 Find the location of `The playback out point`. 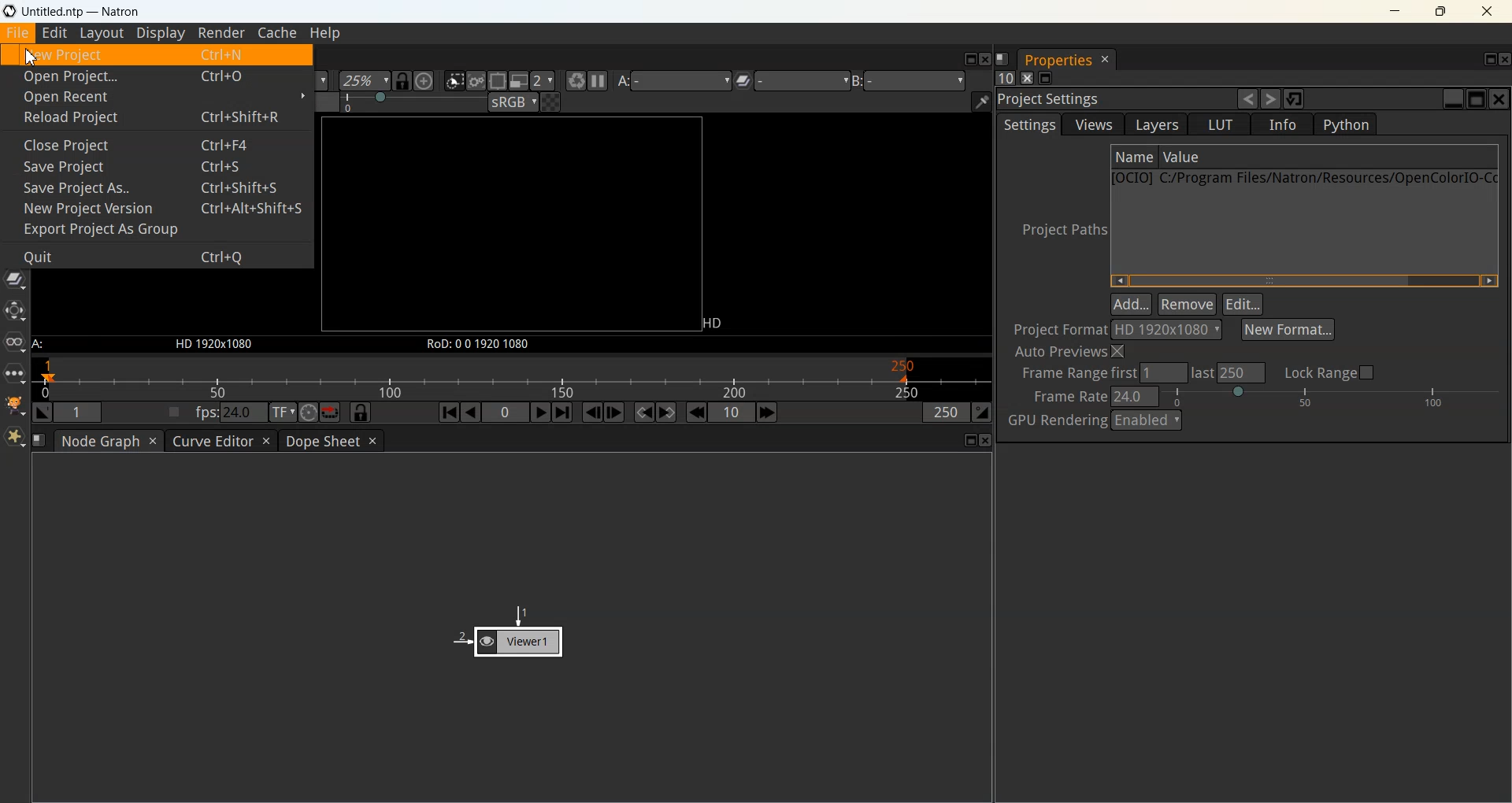

The playback out point is located at coordinates (947, 412).